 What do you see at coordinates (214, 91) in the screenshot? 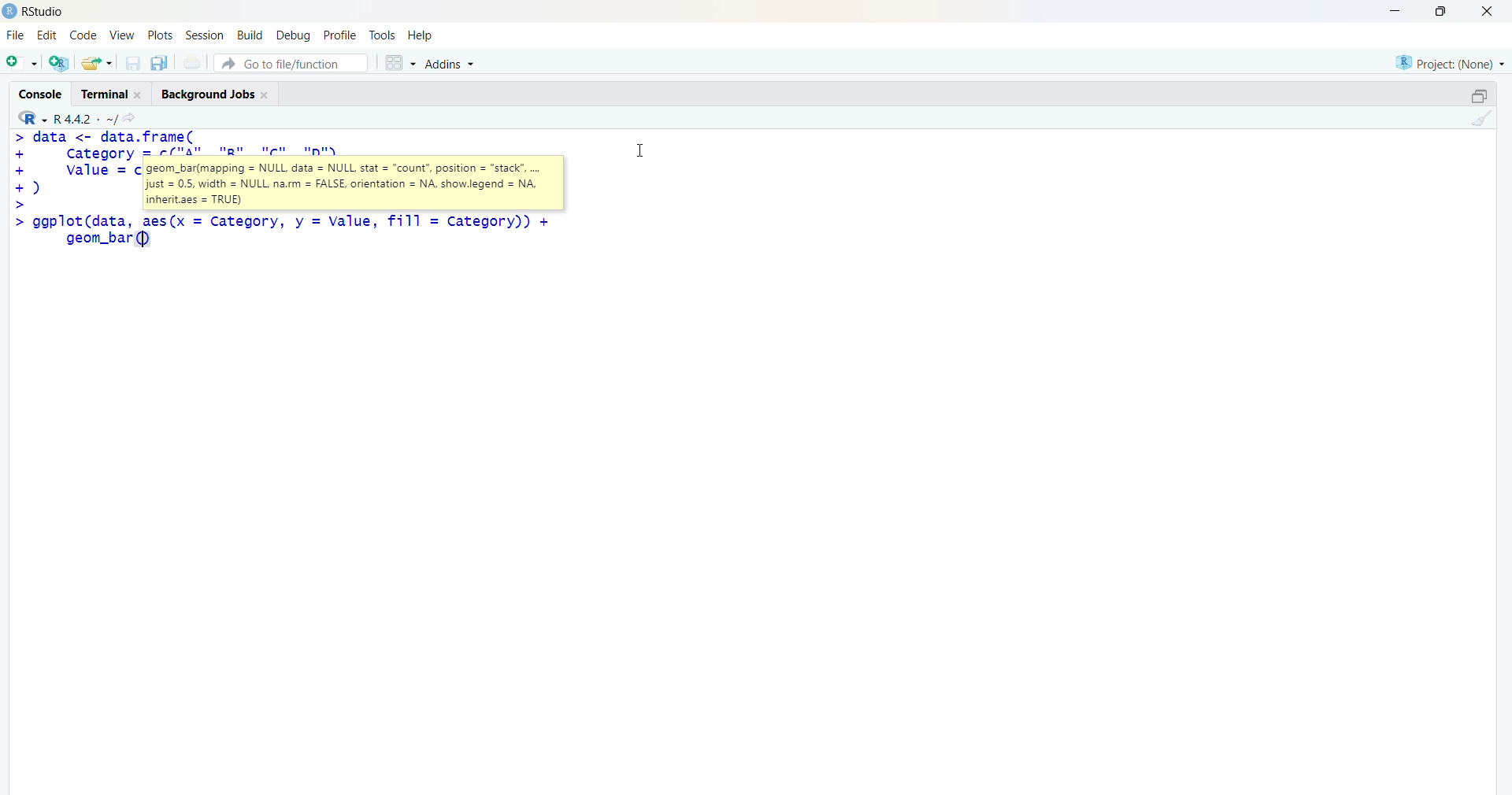
I see `Background Jobs` at bounding box center [214, 91].